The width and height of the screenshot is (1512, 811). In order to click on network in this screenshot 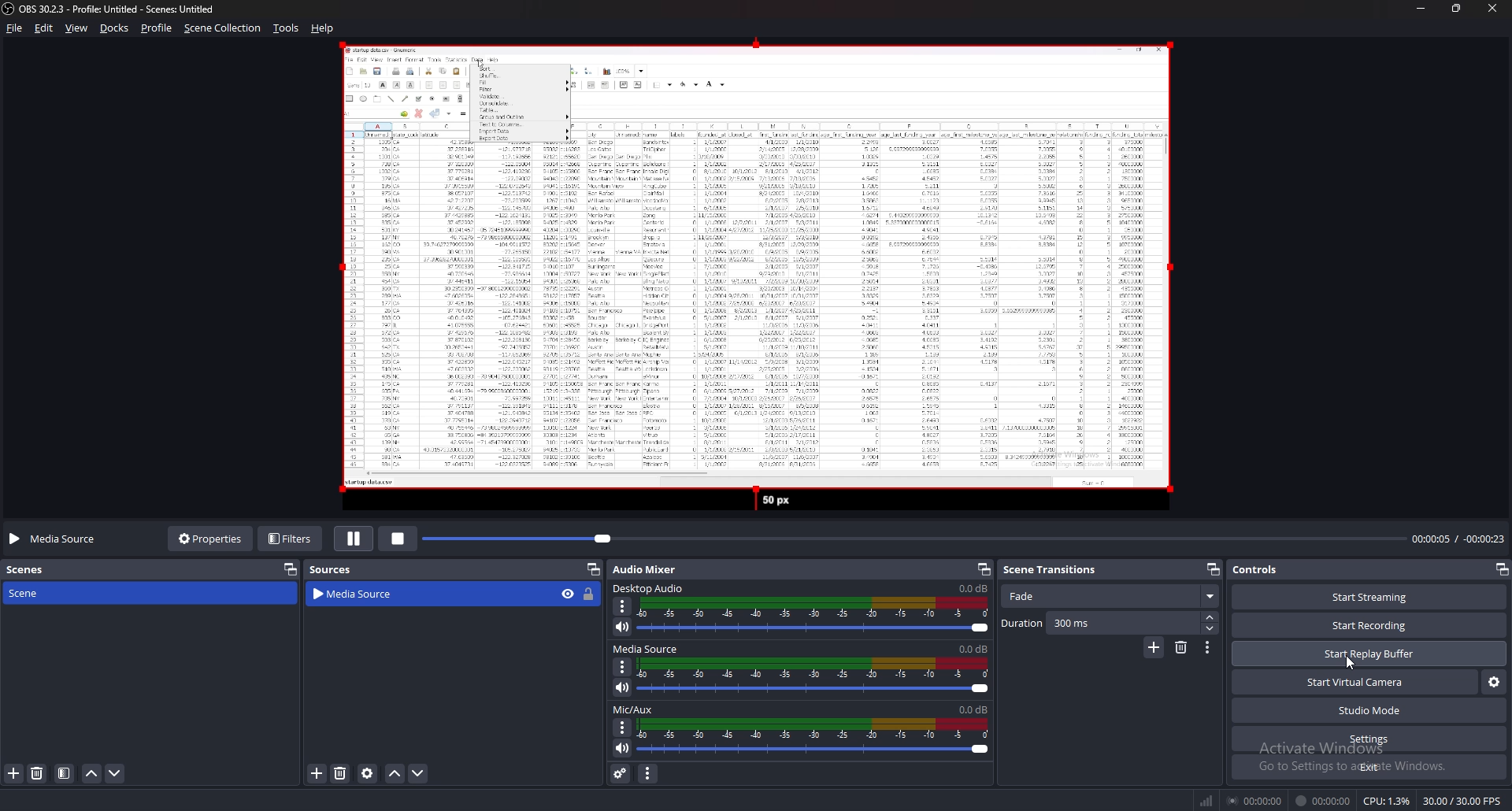, I will do `click(1208, 801)`.